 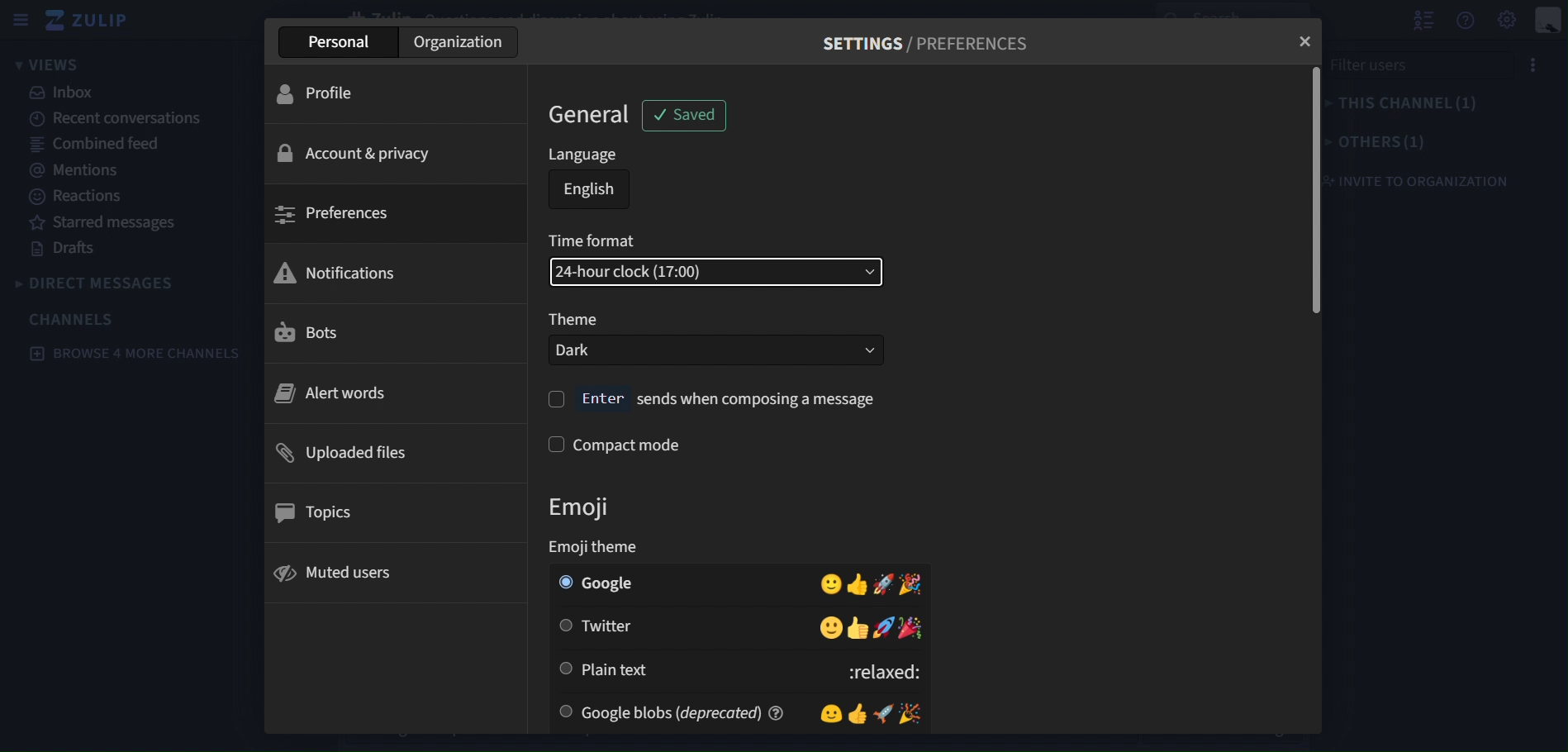 What do you see at coordinates (603, 628) in the screenshot?
I see `twitter` at bounding box center [603, 628].